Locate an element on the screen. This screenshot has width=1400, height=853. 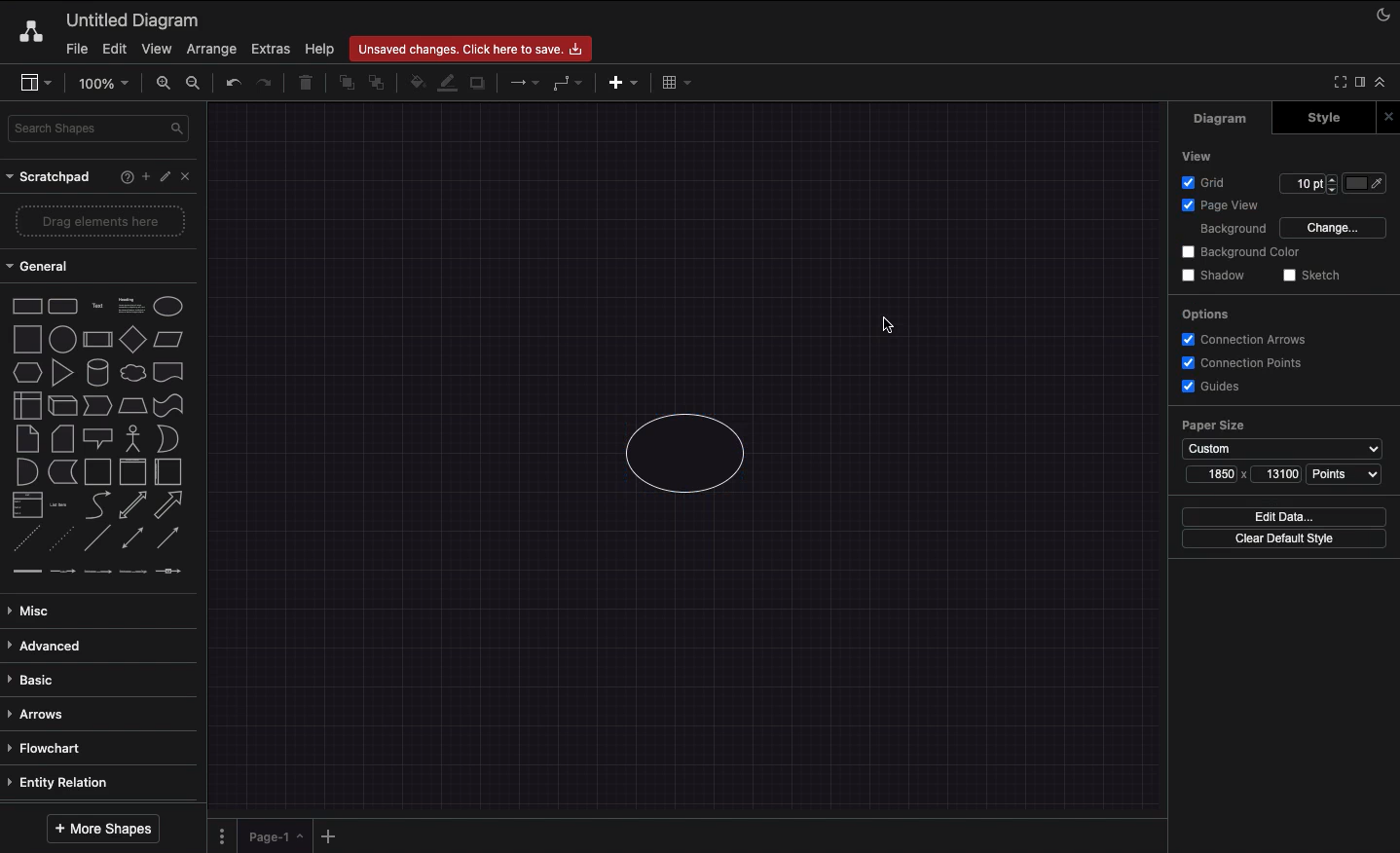
Custom is located at coordinates (1281, 449).